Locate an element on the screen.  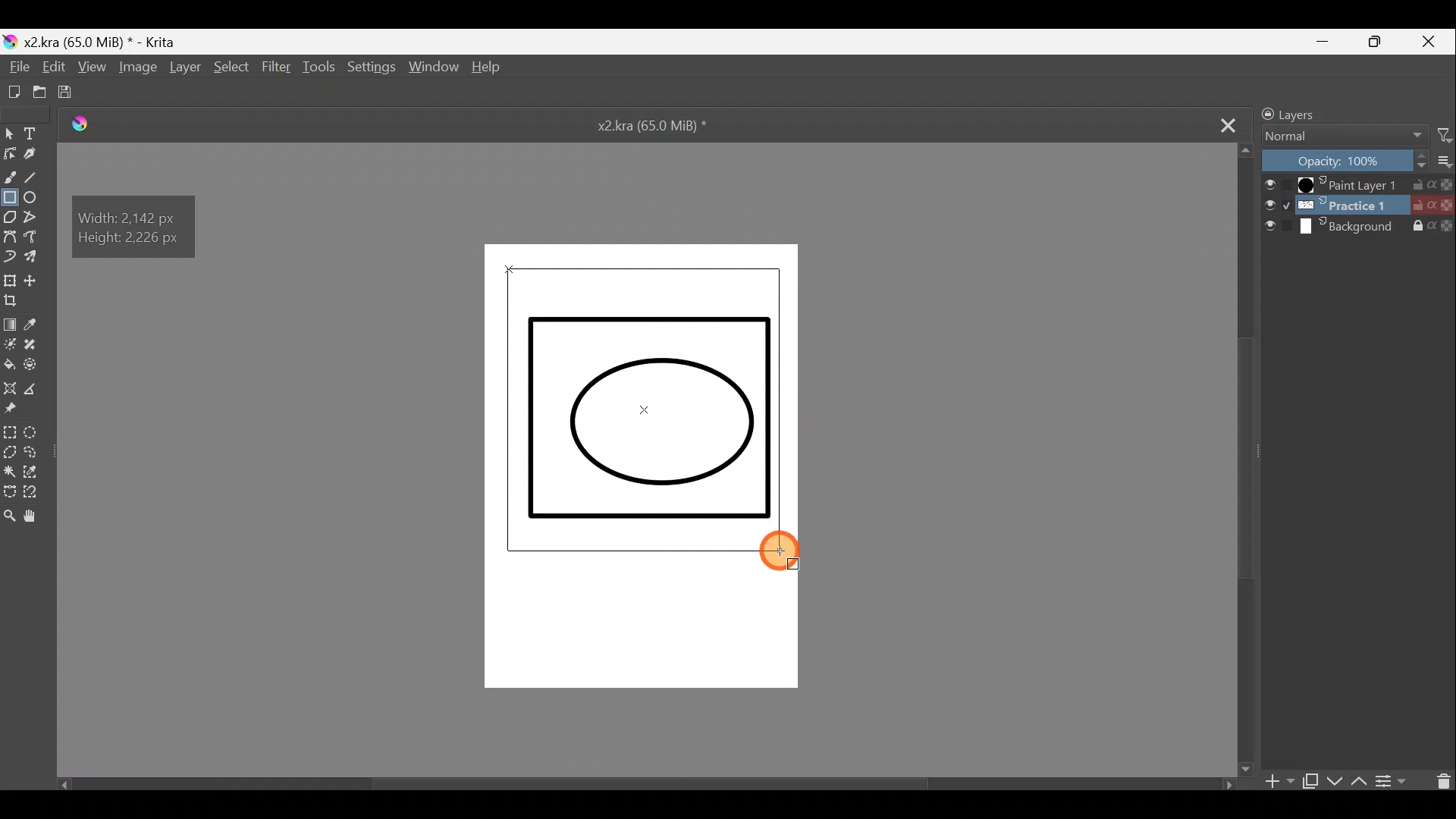
Filter is located at coordinates (277, 69).